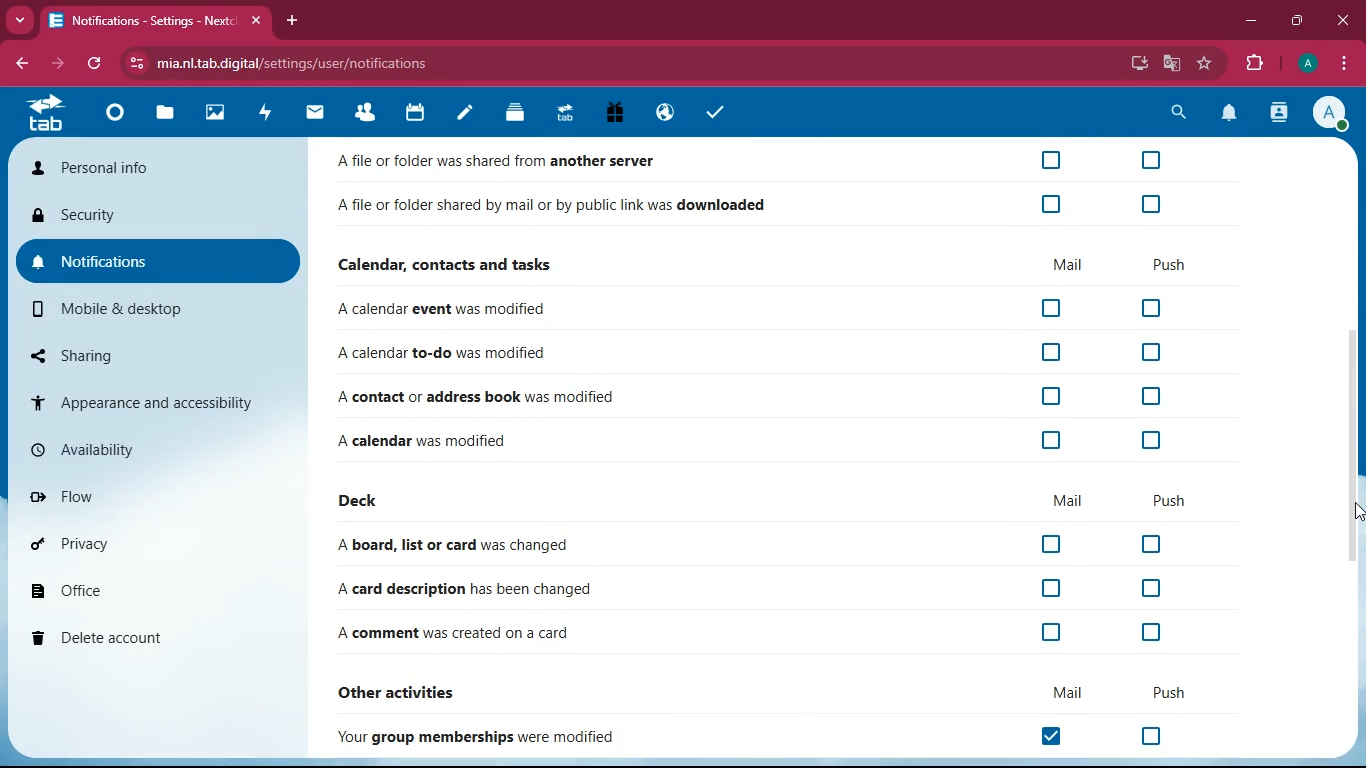  What do you see at coordinates (55, 64) in the screenshot?
I see `forward` at bounding box center [55, 64].